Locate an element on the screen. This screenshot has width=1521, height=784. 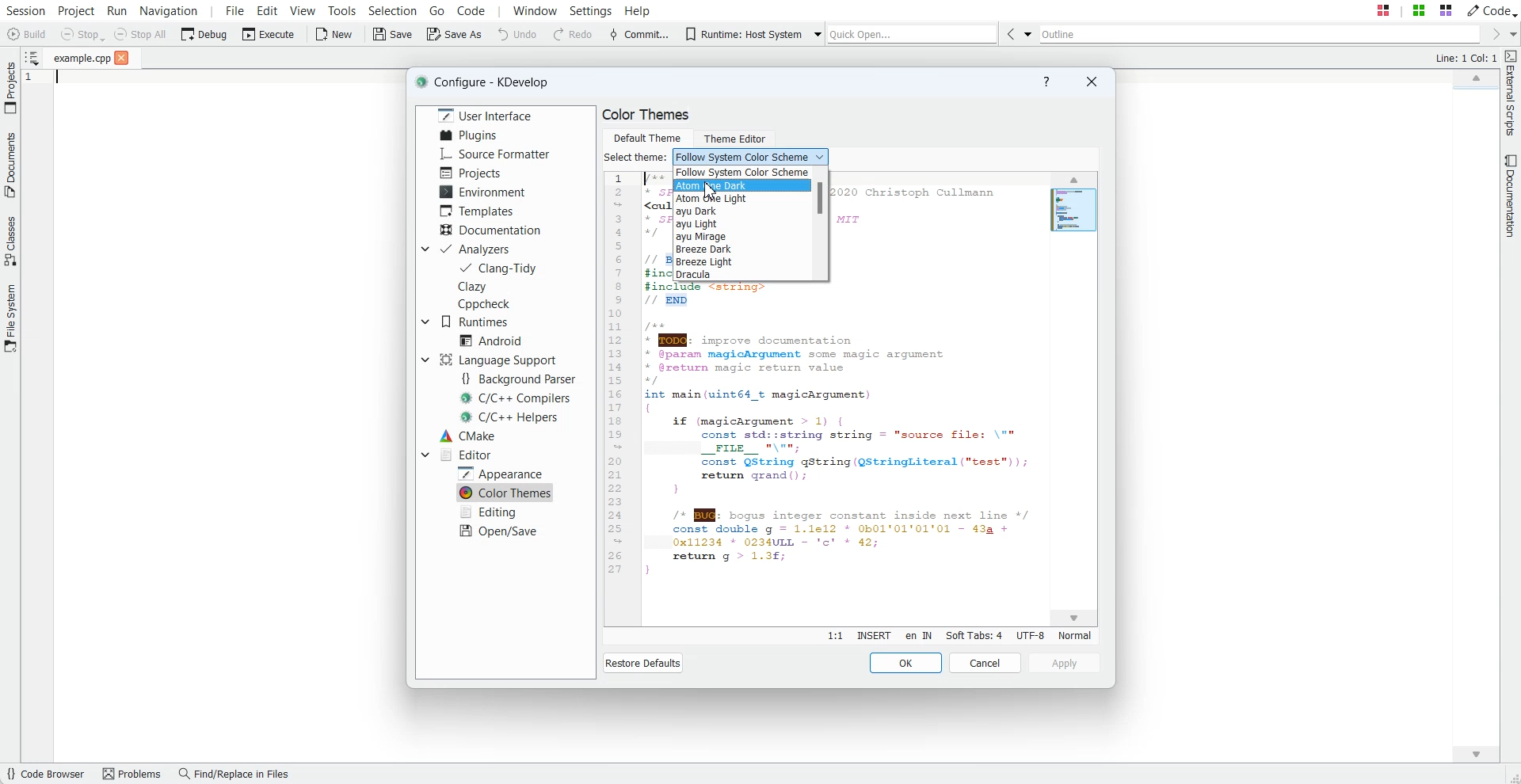
Quick Open is located at coordinates (912, 34).